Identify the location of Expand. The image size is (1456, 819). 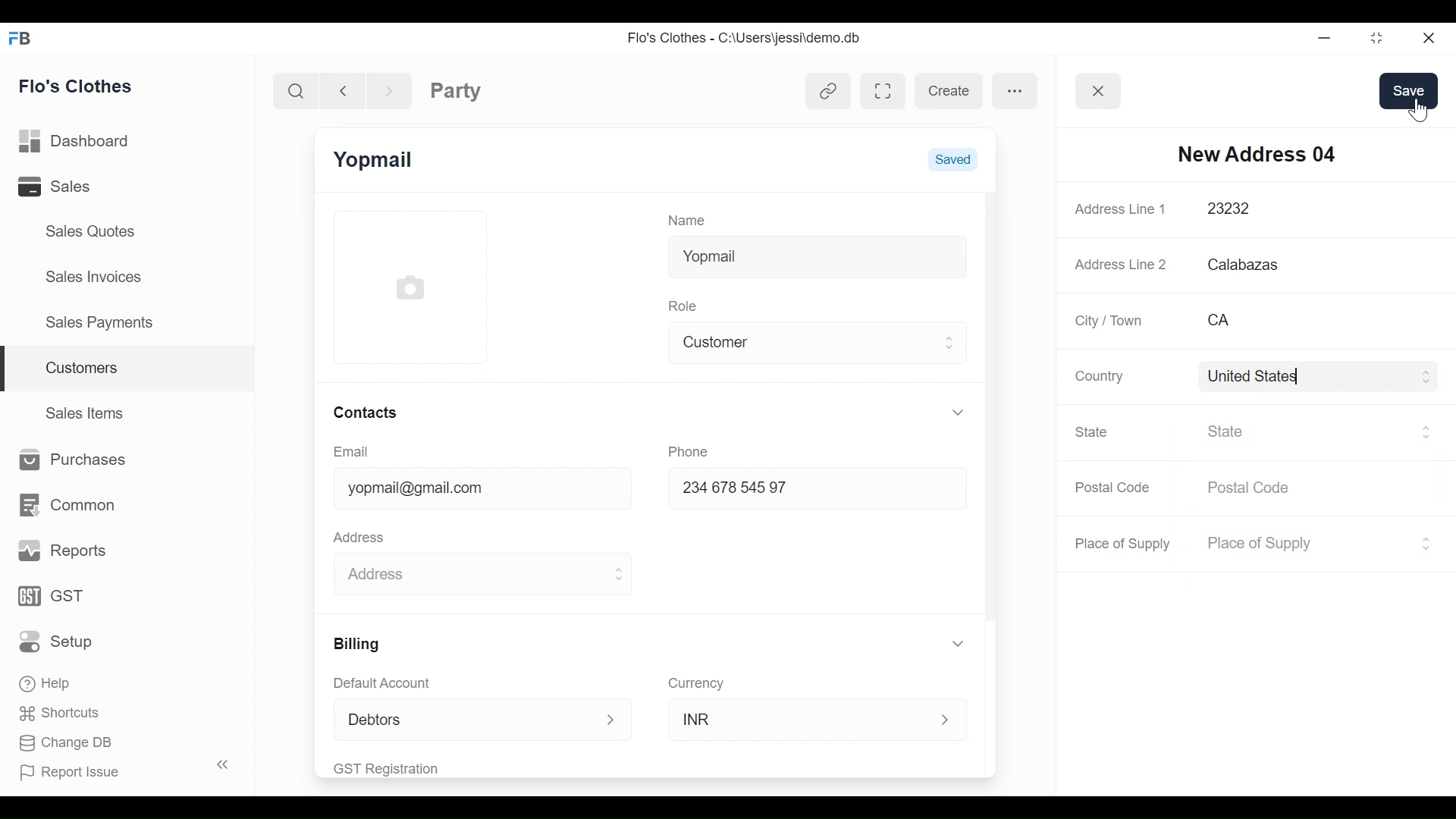
(1426, 431).